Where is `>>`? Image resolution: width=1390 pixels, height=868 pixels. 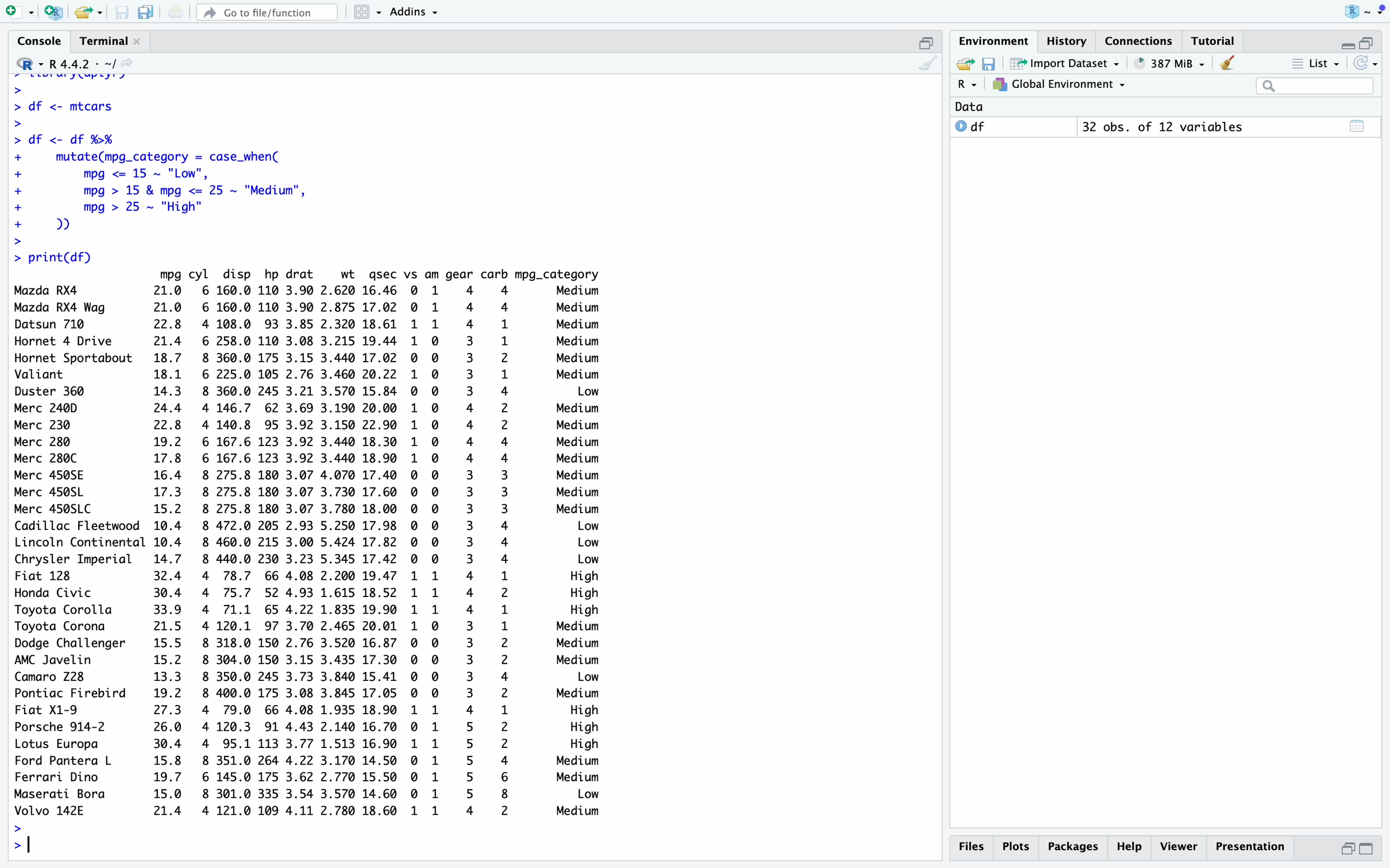 >> is located at coordinates (13, 839).